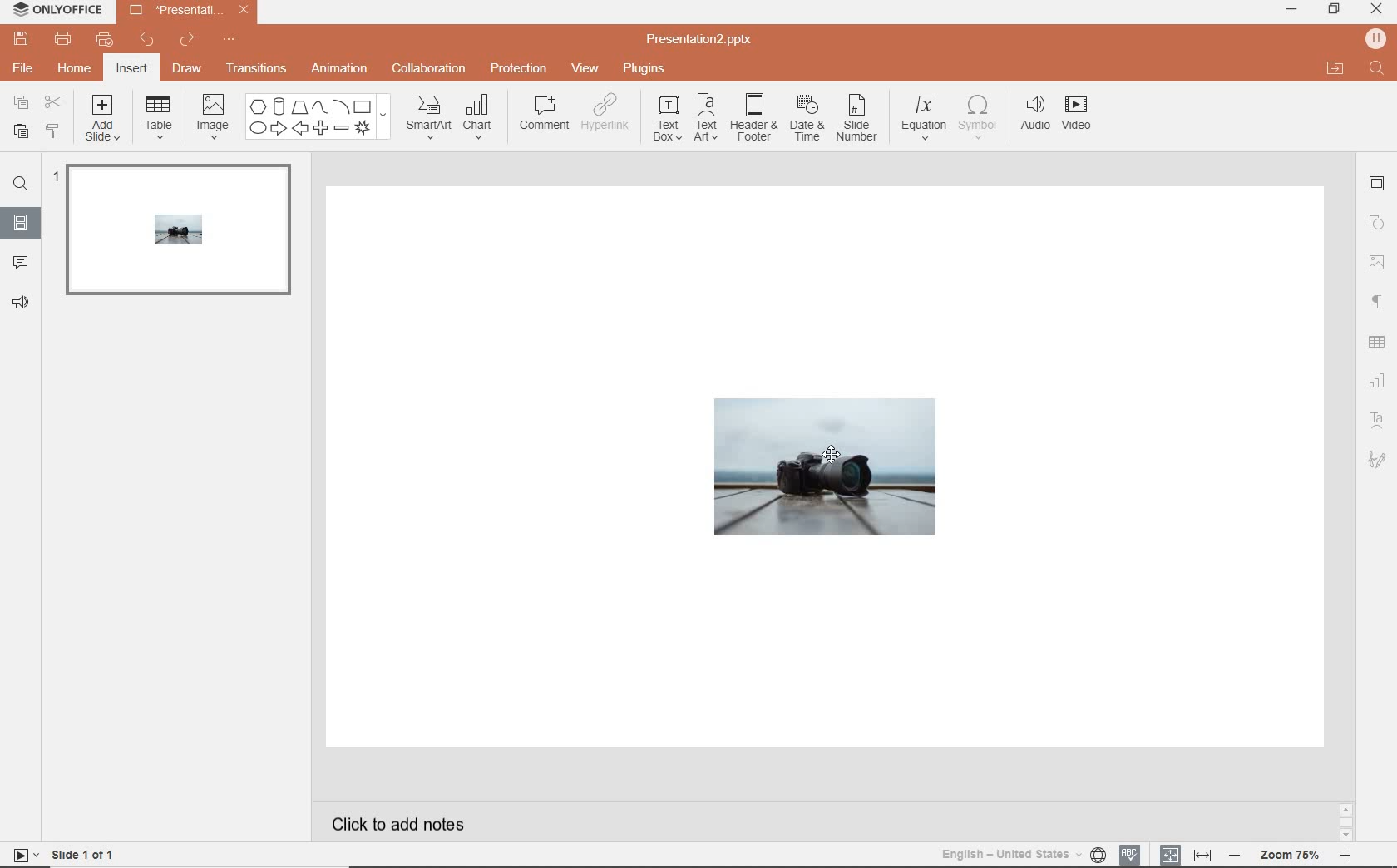  Describe the element at coordinates (644, 68) in the screenshot. I see `plugins` at that location.